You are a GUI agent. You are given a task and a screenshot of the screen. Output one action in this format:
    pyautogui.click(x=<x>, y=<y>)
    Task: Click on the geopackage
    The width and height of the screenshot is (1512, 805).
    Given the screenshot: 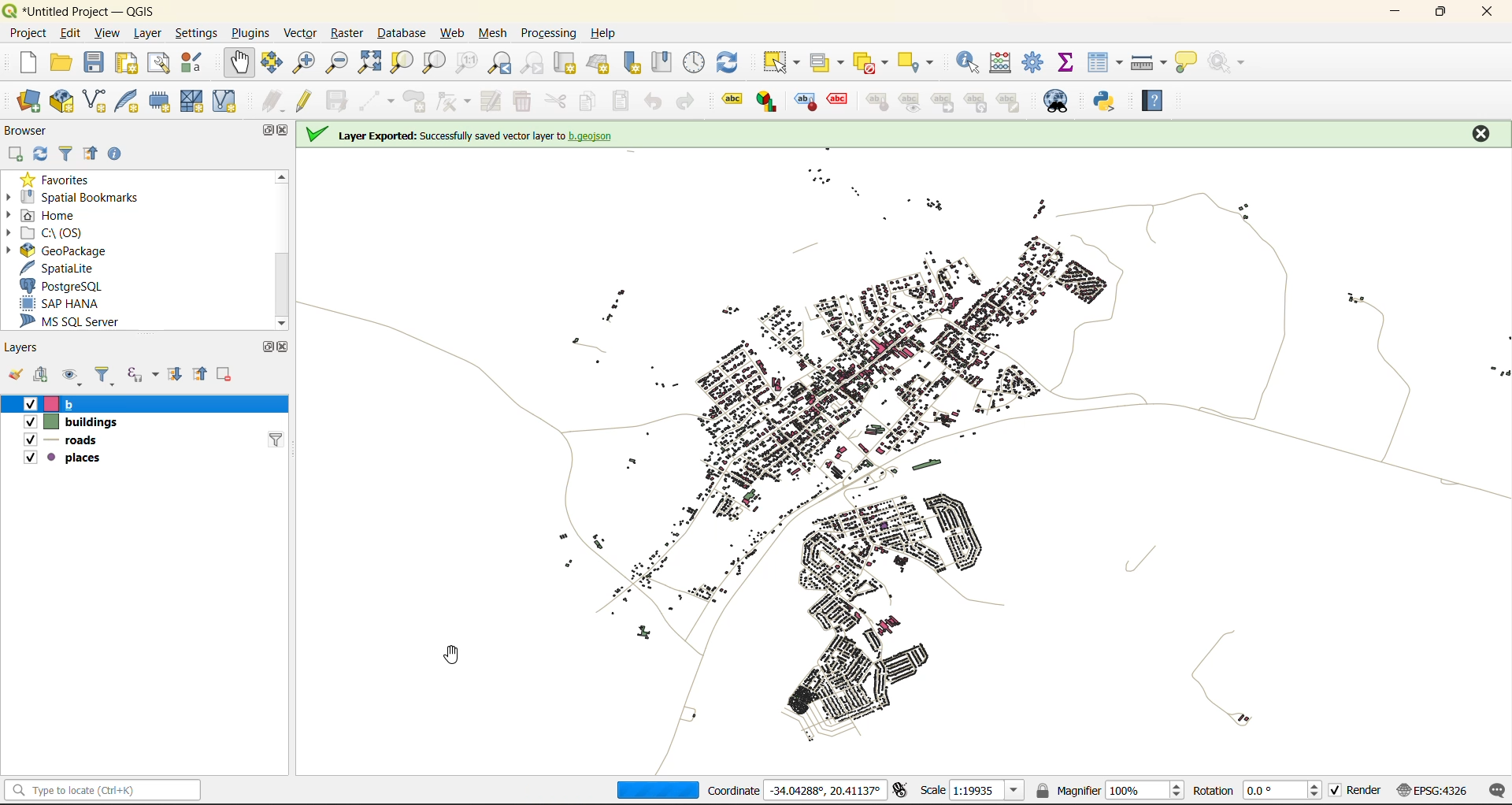 What is the action you would take?
    pyautogui.click(x=72, y=252)
    